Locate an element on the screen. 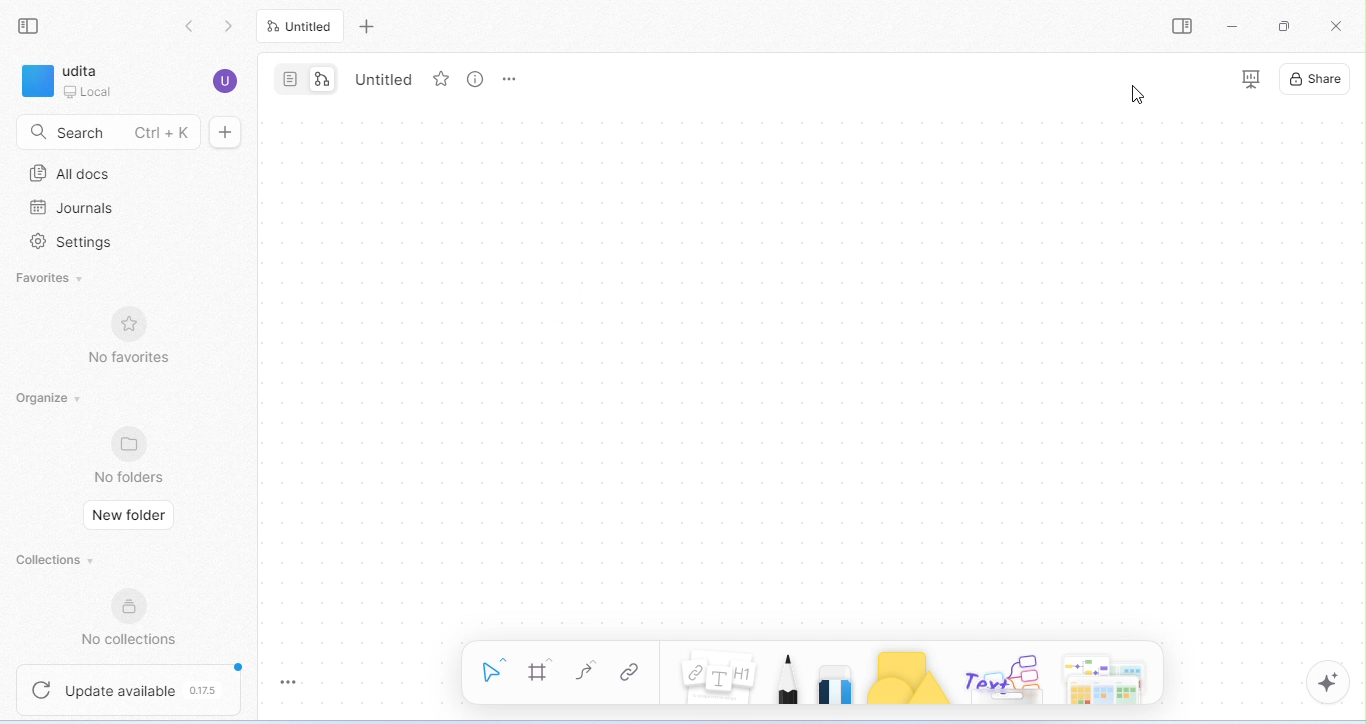  arrows and more is located at coordinates (1103, 676).